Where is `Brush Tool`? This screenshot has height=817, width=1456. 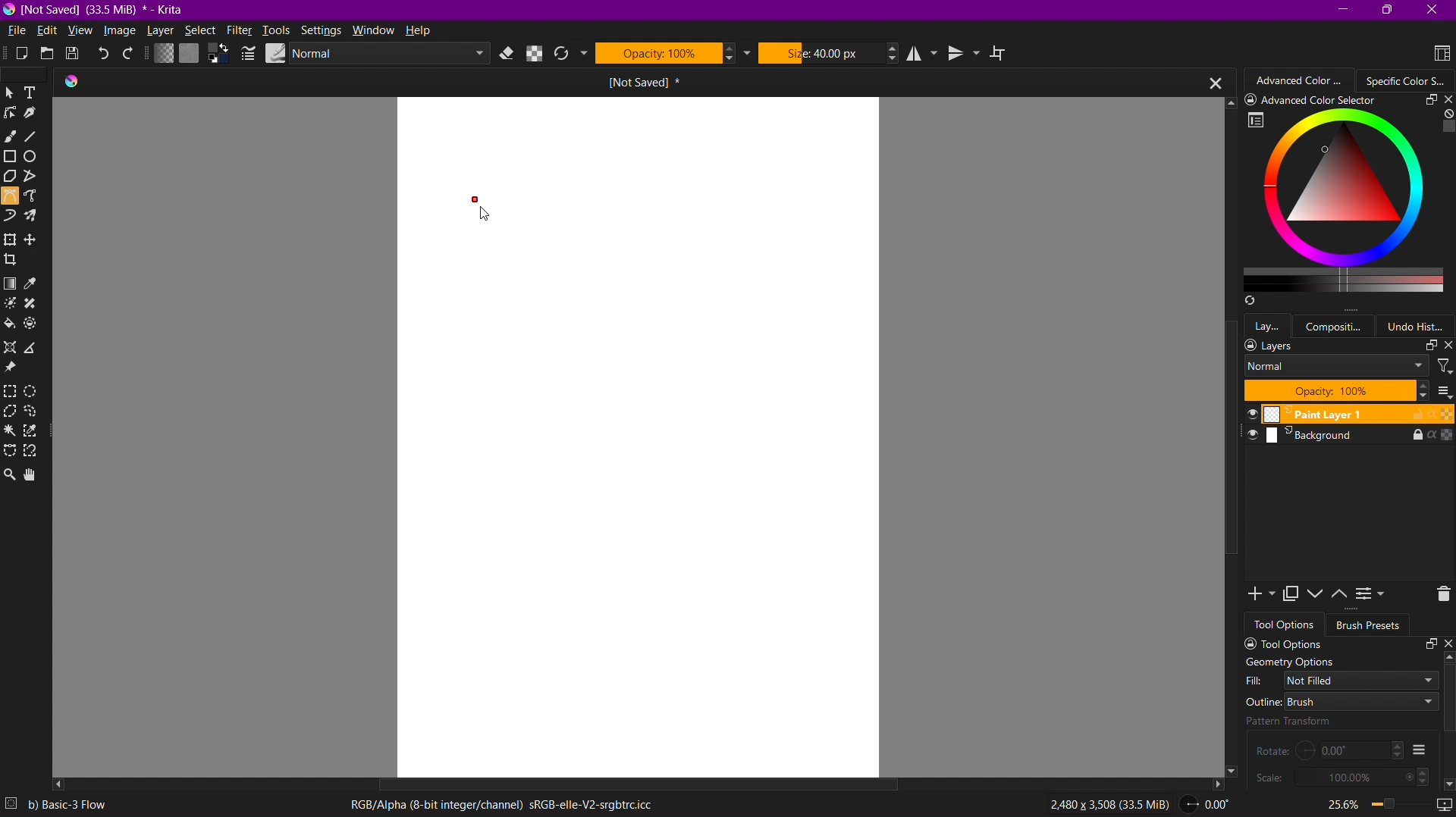 Brush Tool is located at coordinates (11, 138).